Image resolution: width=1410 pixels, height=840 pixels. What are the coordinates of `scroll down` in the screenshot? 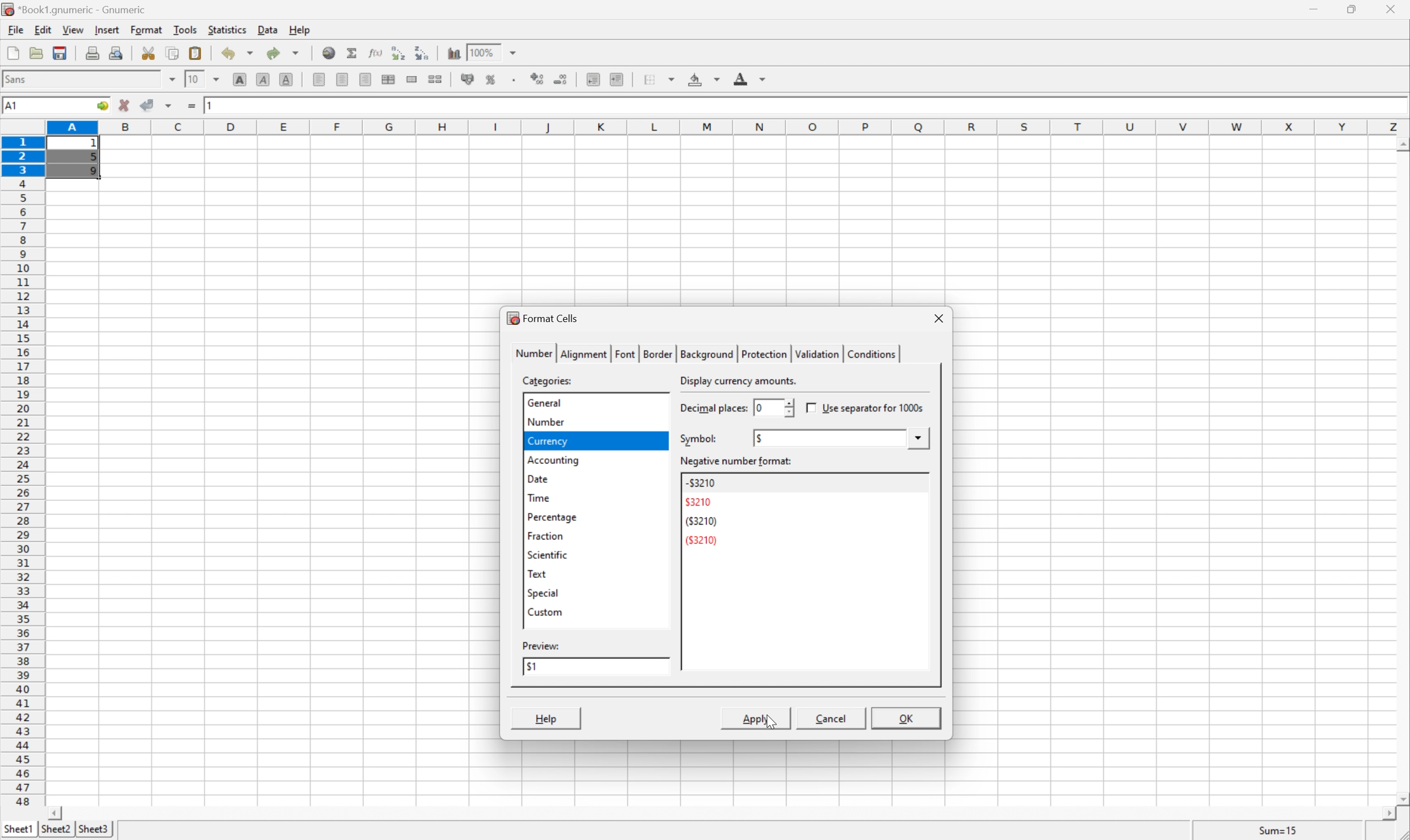 It's located at (1401, 798).